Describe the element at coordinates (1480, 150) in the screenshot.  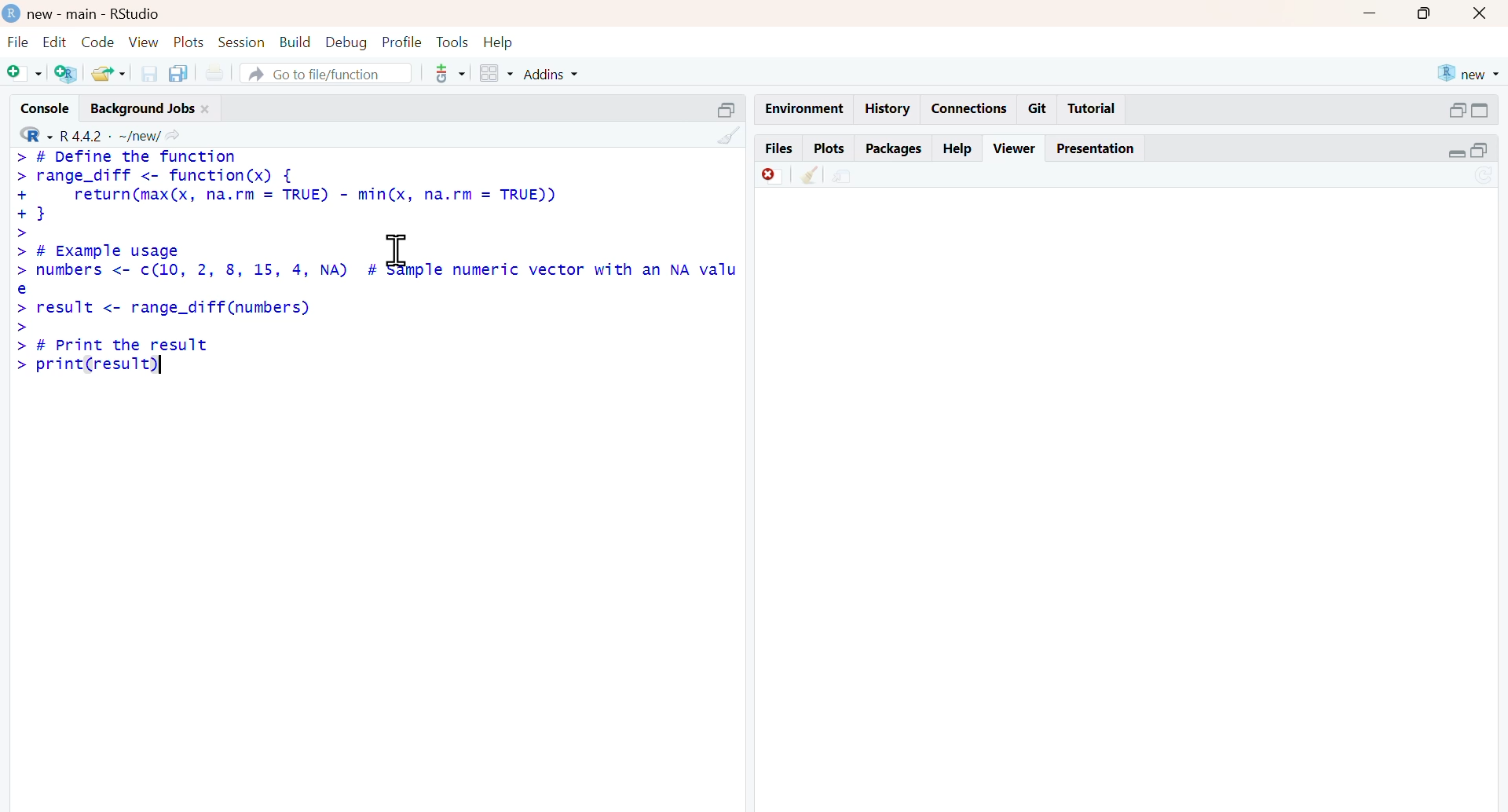
I see `open in separate window` at that location.